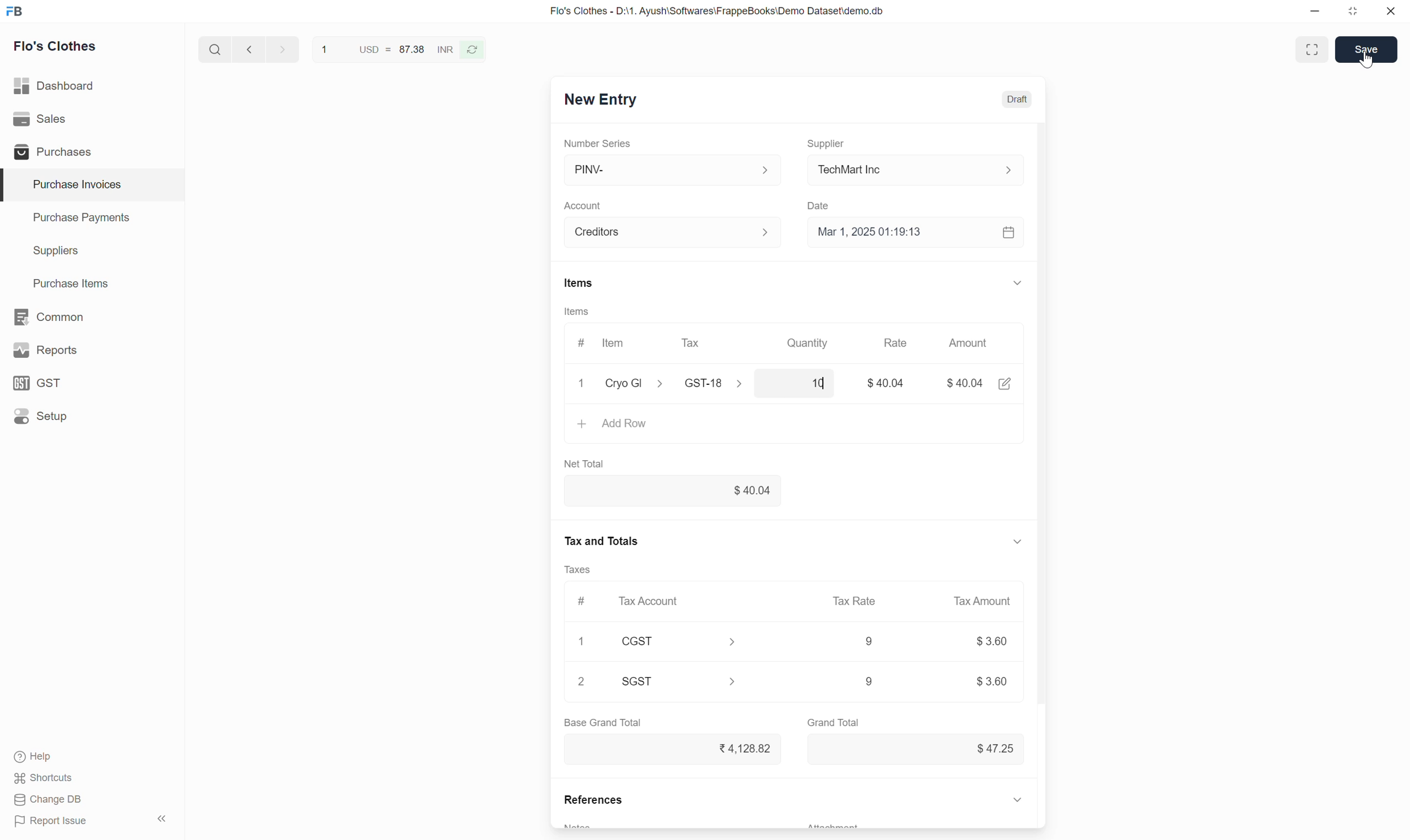  What do you see at coordinates (687, 681) in the screenshot?
I see `SGST` at bounding box center [687, 681].